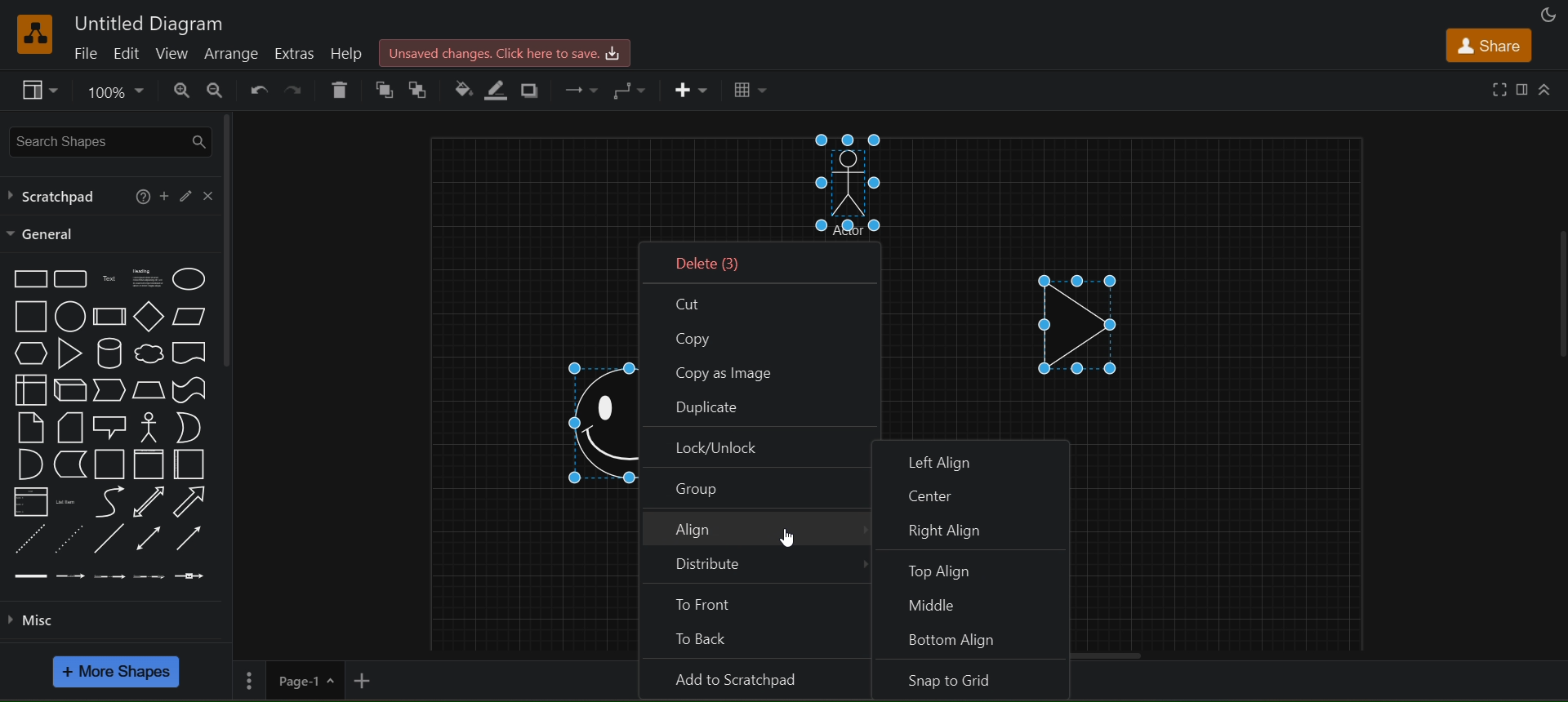 Image resolution: width=1568 pixels, height=702 pixels. I want to click on right align, so click(980, 529).